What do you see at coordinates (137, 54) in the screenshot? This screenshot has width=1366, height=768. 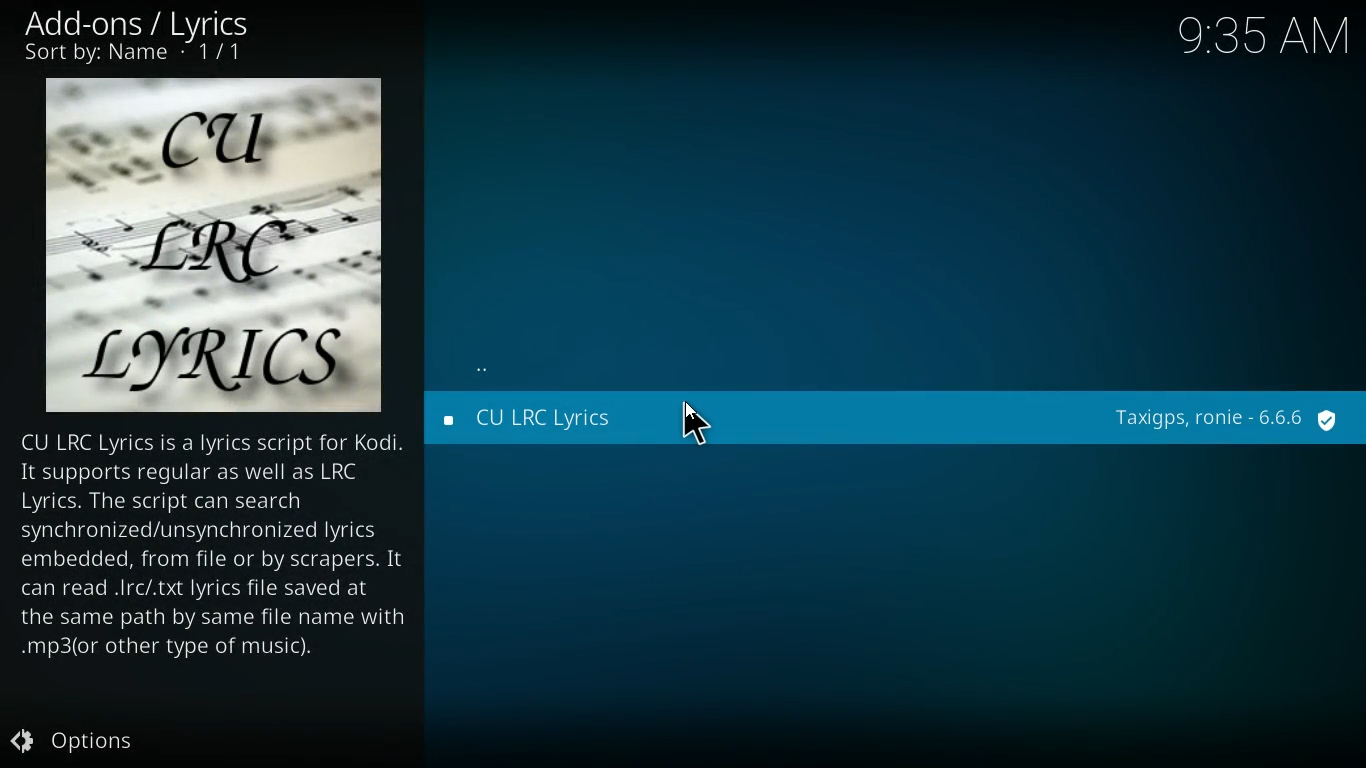 I see `Sort by: Name` at bounding box center [137, 54].